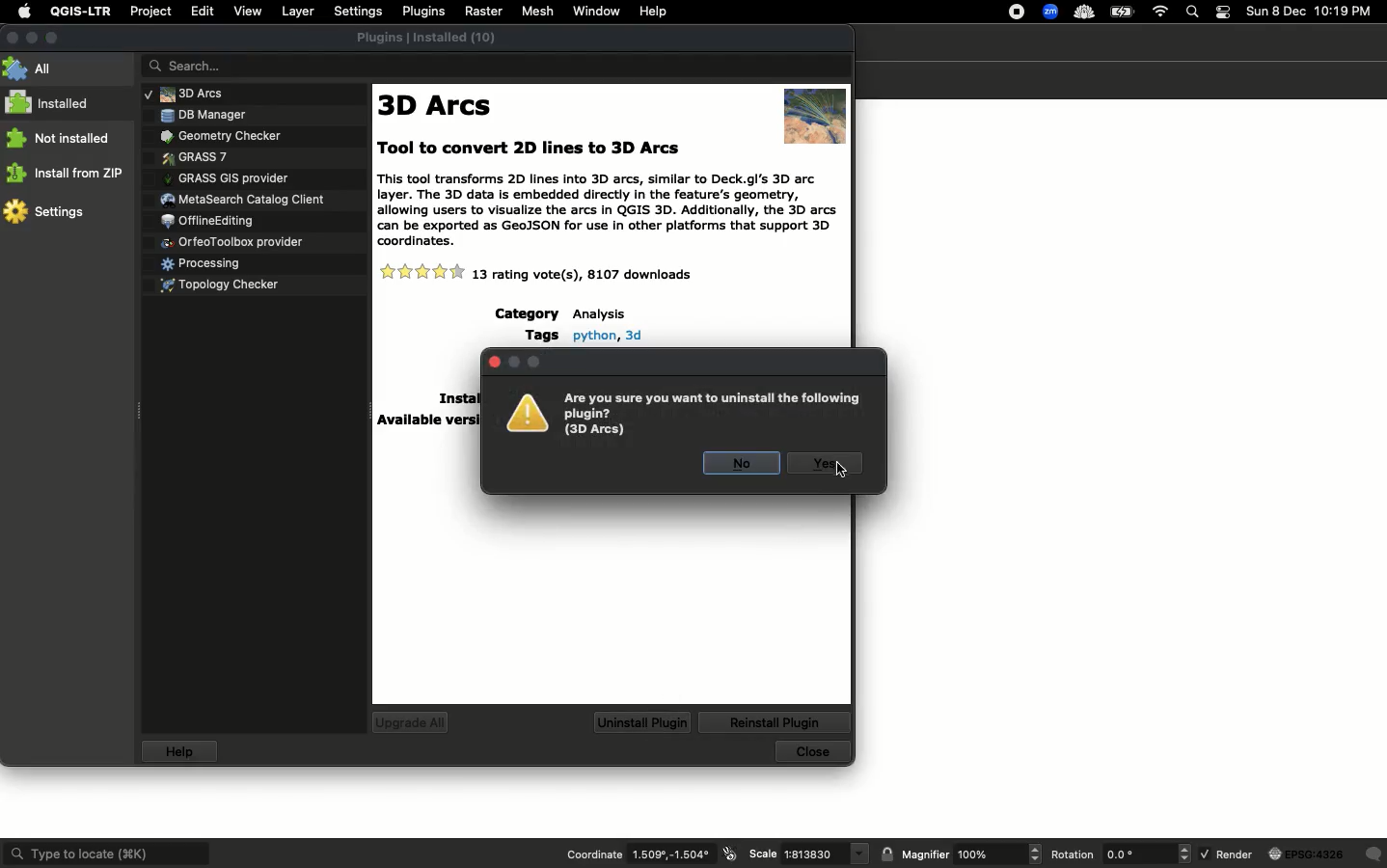  What do you see at coordinates (1292, 856) in the screenshot?
I see `Render` at bounding box center [1292, 856].